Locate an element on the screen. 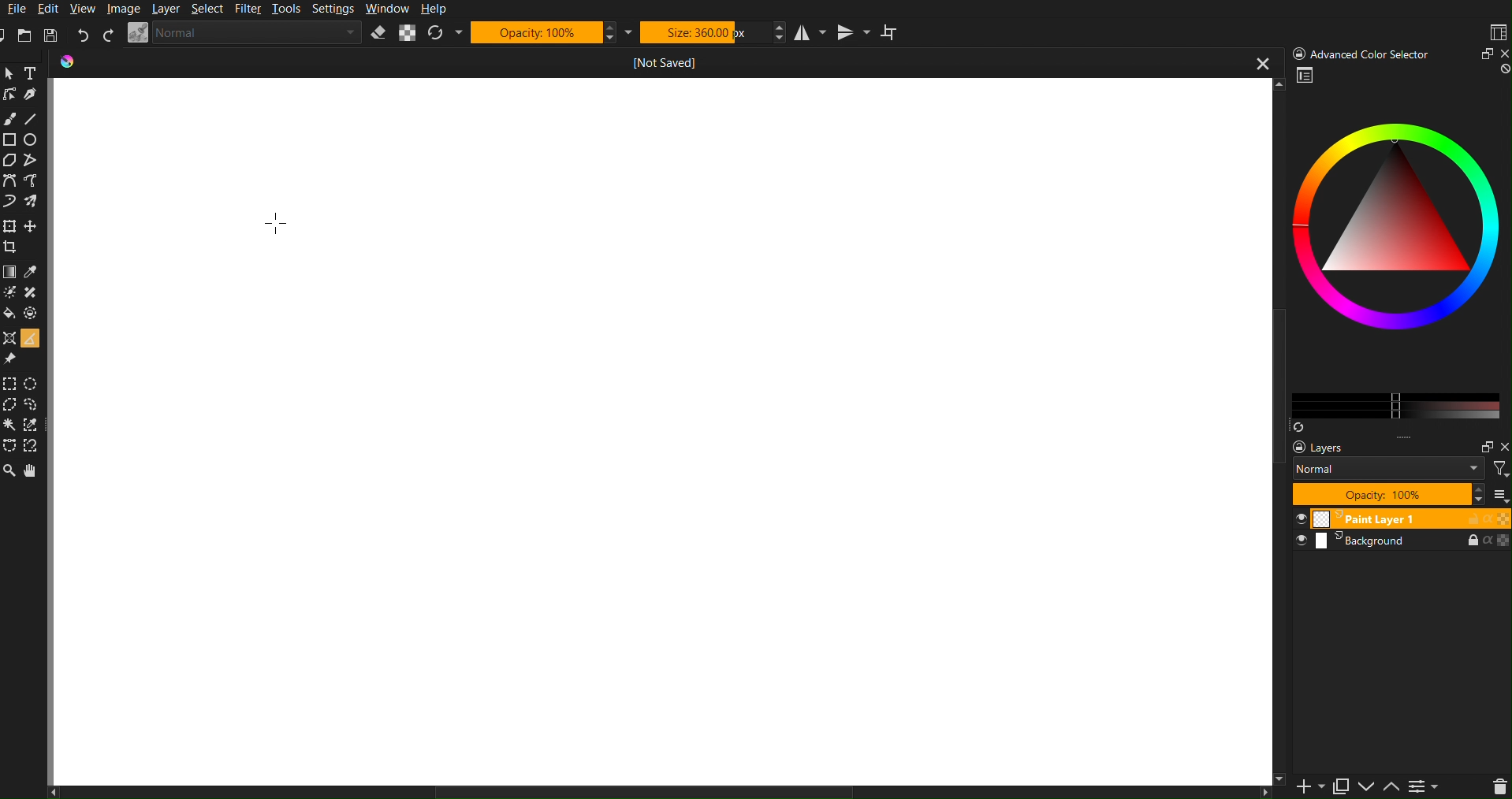 The image size is (1512, 799). Window is located at coordinates (386, 9).